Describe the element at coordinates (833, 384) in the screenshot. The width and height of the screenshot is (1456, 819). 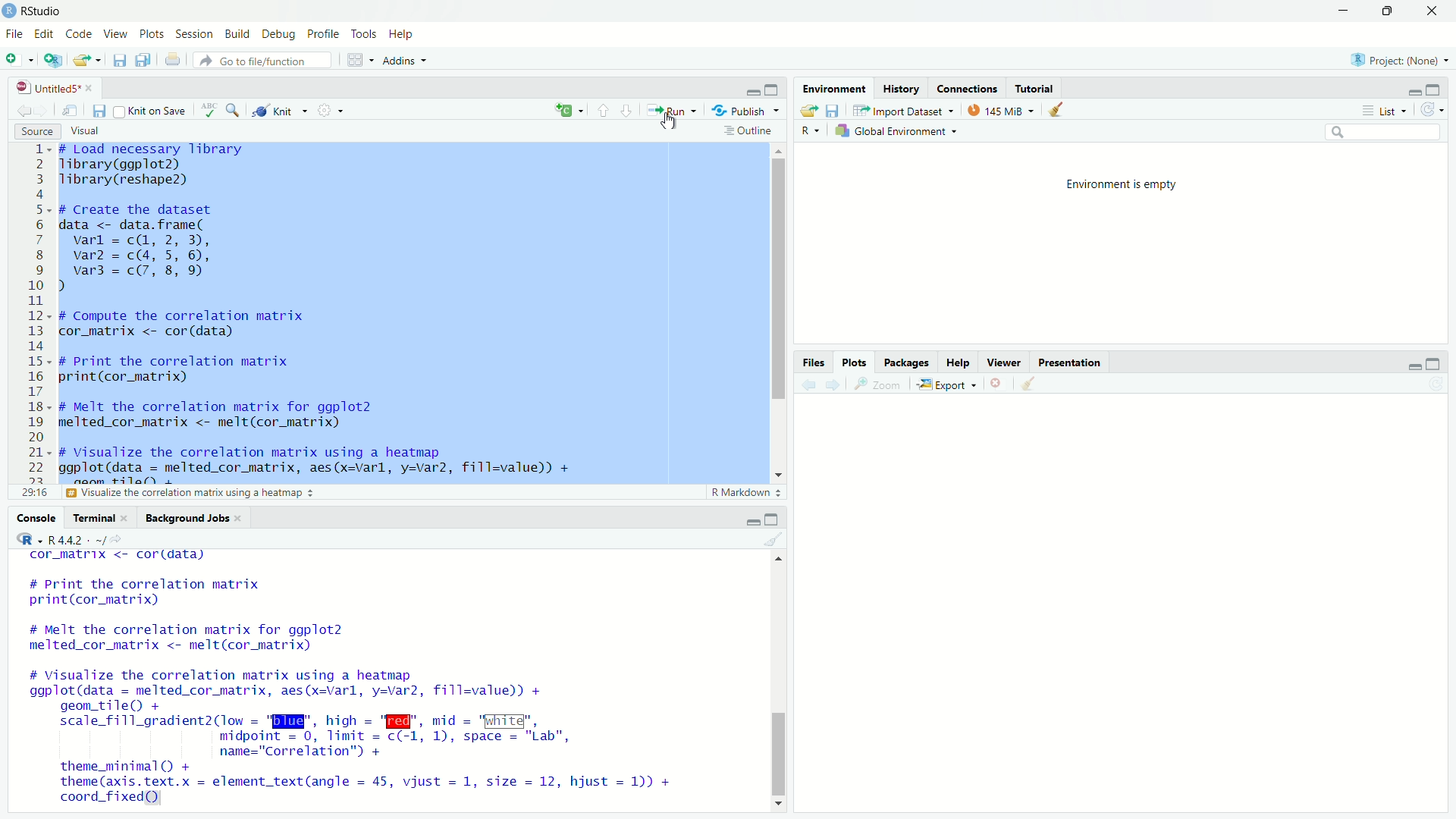
I see `next plot` at that location.